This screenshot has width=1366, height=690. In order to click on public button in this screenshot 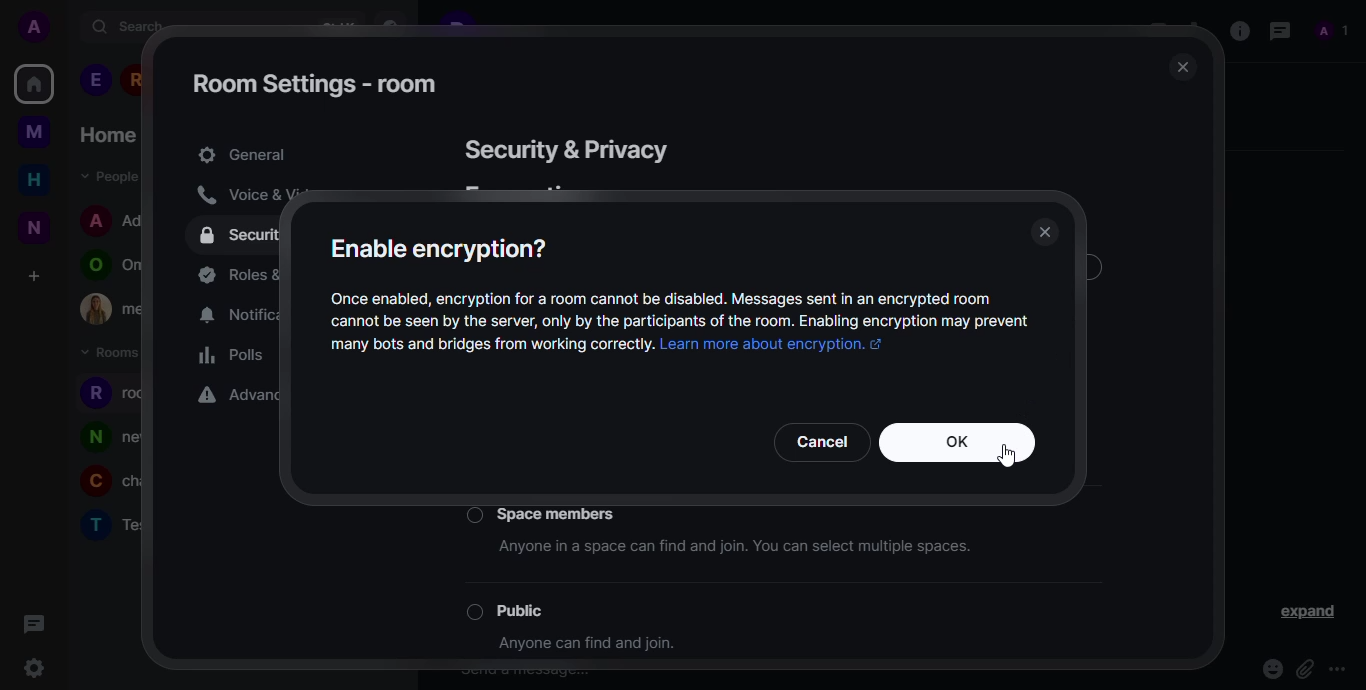, I will do `click(511, 612)`.